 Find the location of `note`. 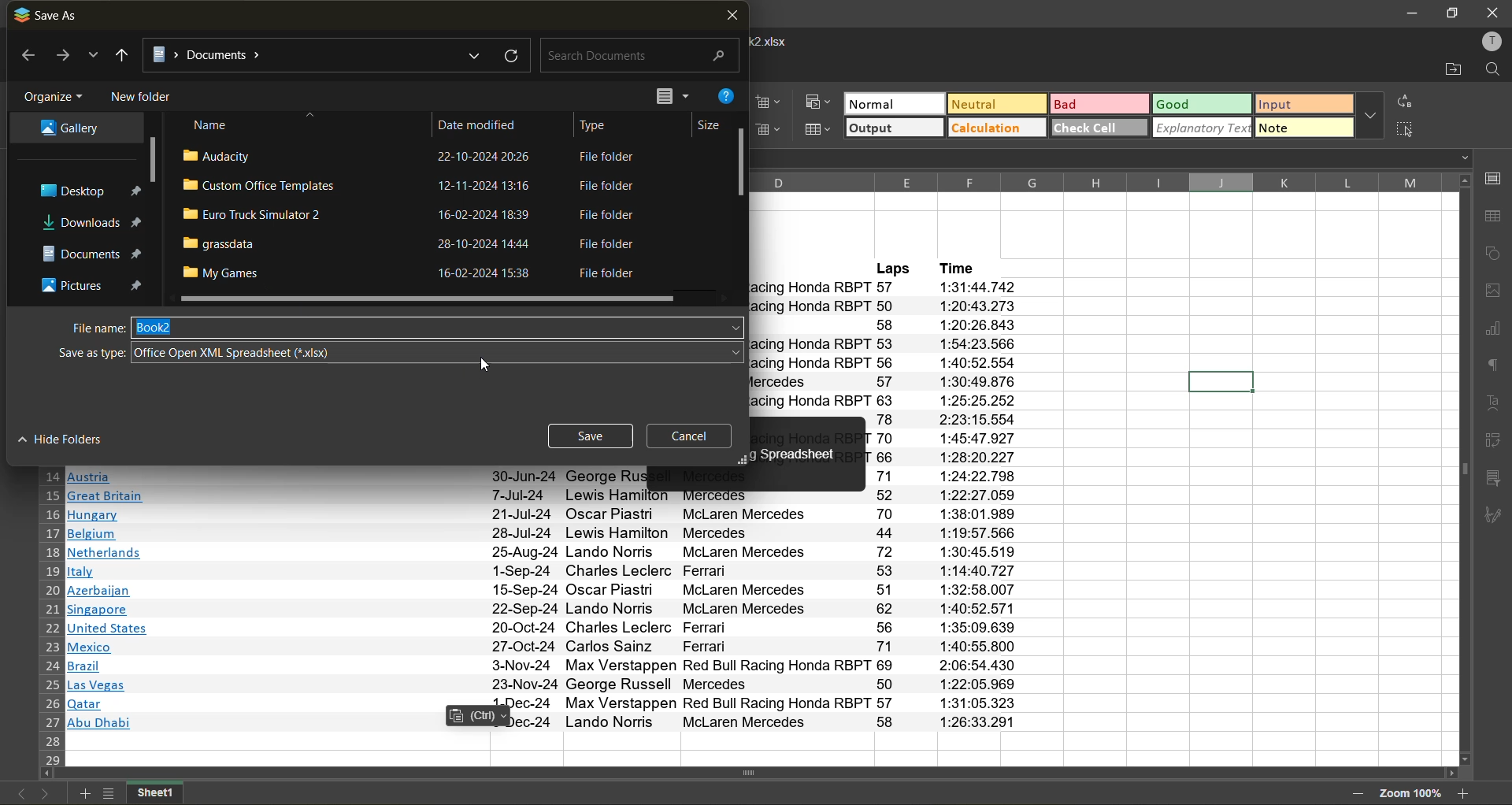

note is located at coordinates (1303, 127).